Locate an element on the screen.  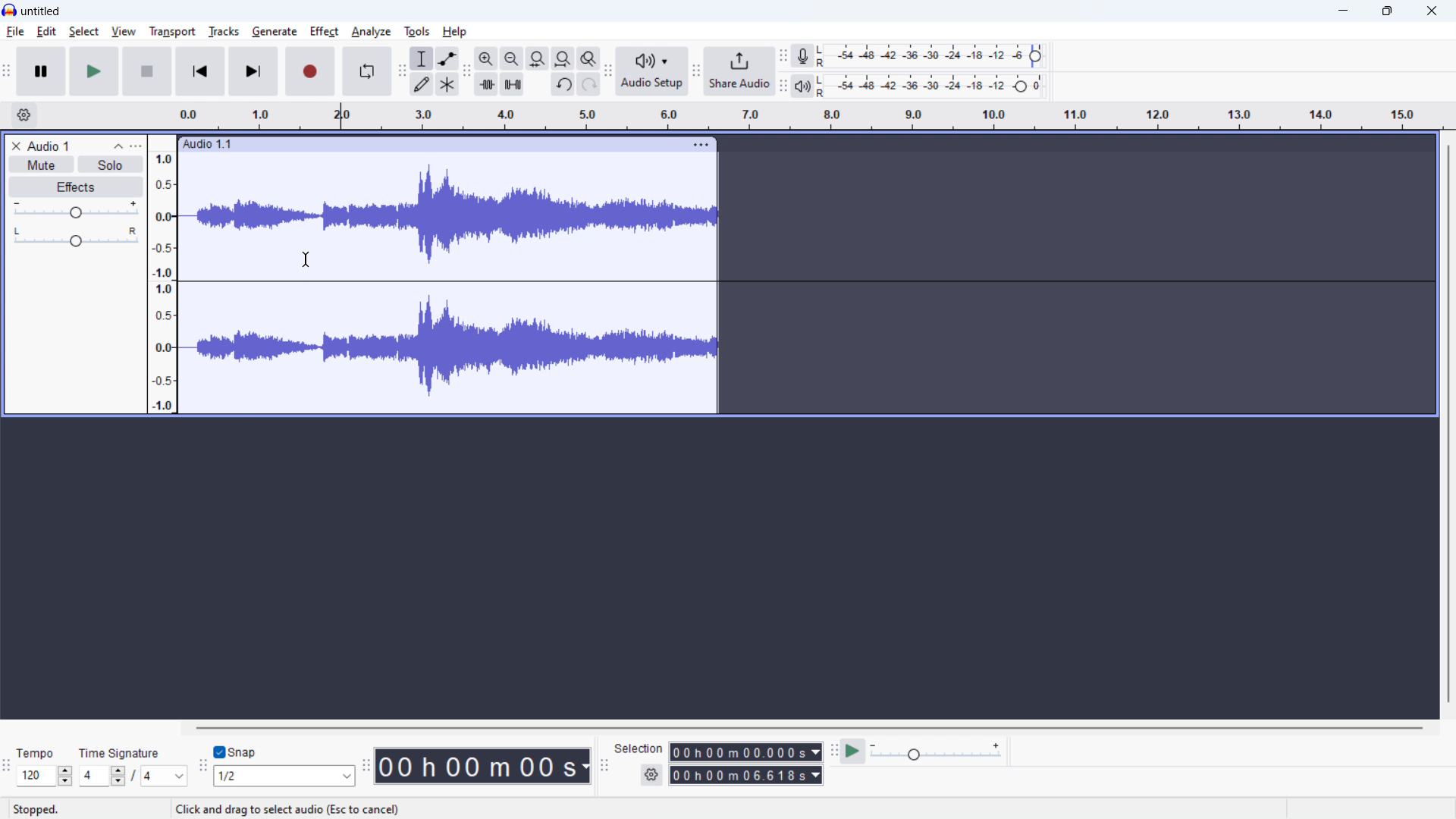
selection options is located at coordinates (652, 775).